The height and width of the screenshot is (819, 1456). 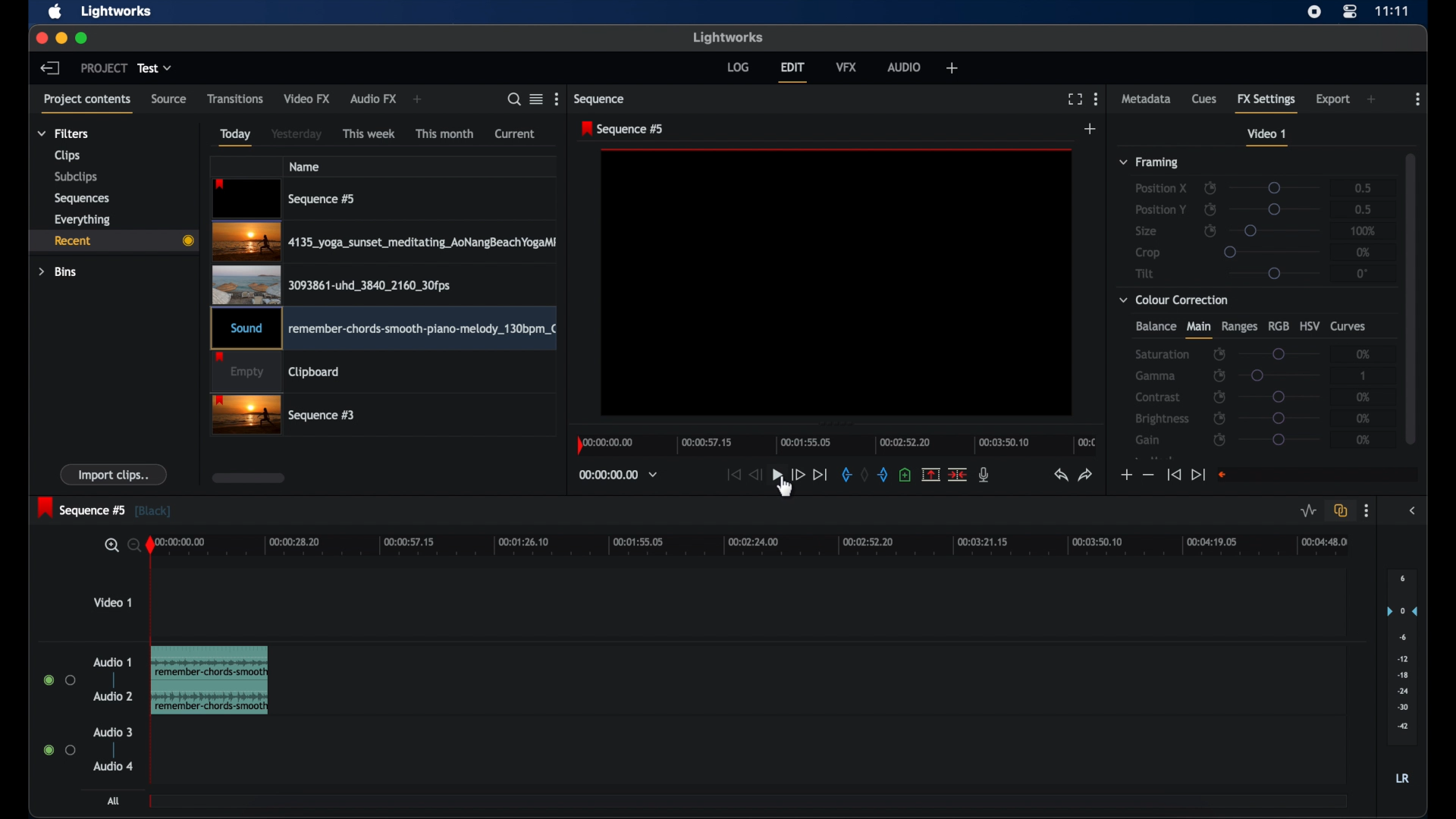 I want to click on more options, so click(x=558, y=99).